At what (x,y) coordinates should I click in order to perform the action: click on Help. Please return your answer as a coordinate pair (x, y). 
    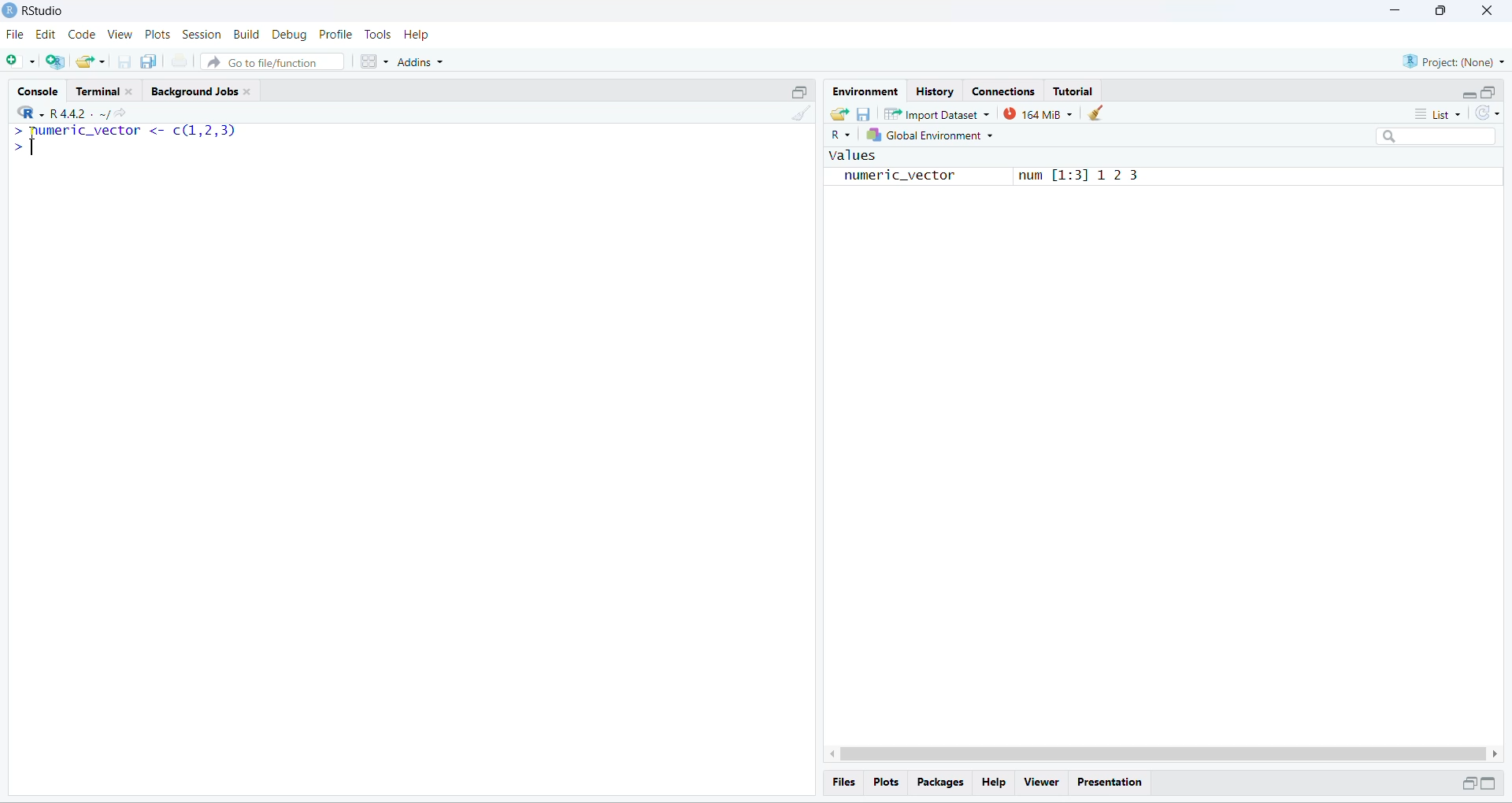
    Looking at the image, I should click on (993, 783).